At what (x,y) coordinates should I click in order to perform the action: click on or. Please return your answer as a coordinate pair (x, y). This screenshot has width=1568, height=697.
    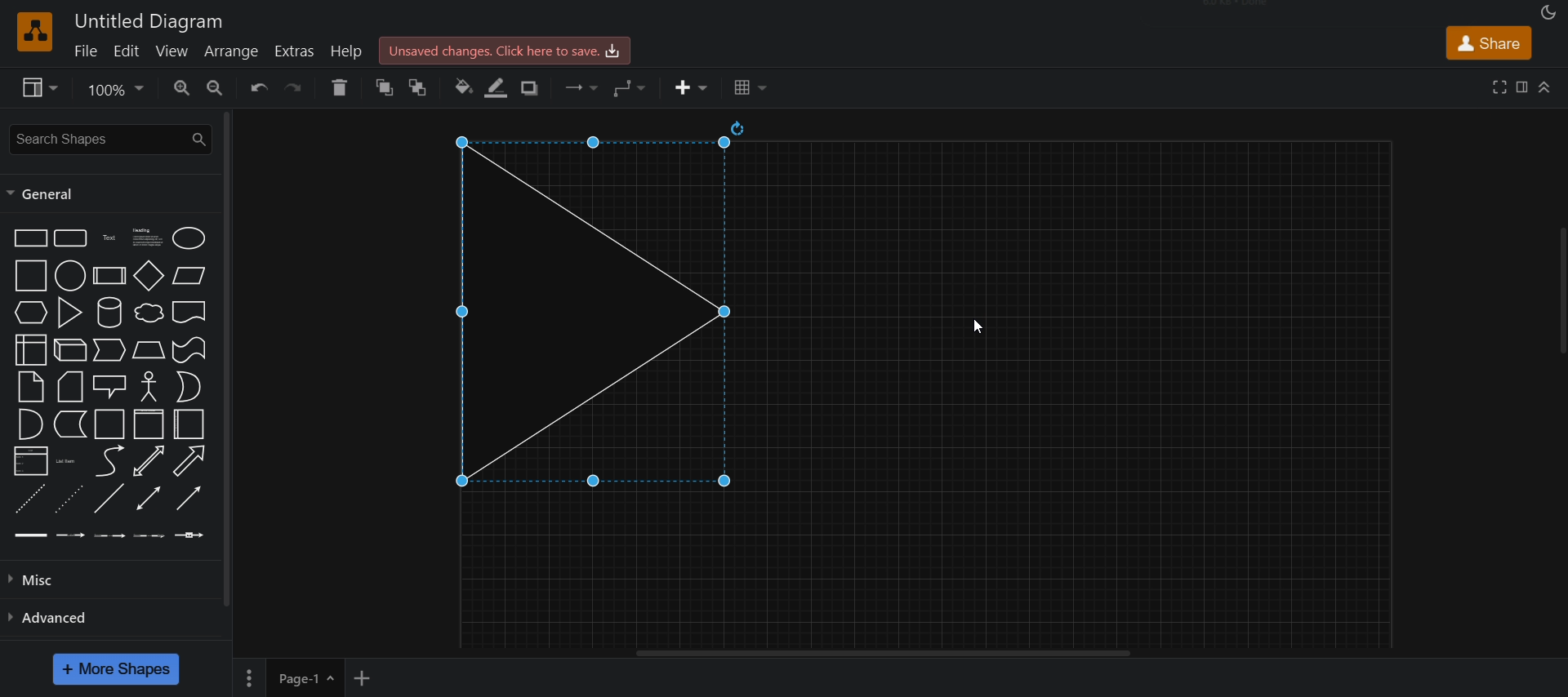
    Looking at the image, I should click on (188, 386).